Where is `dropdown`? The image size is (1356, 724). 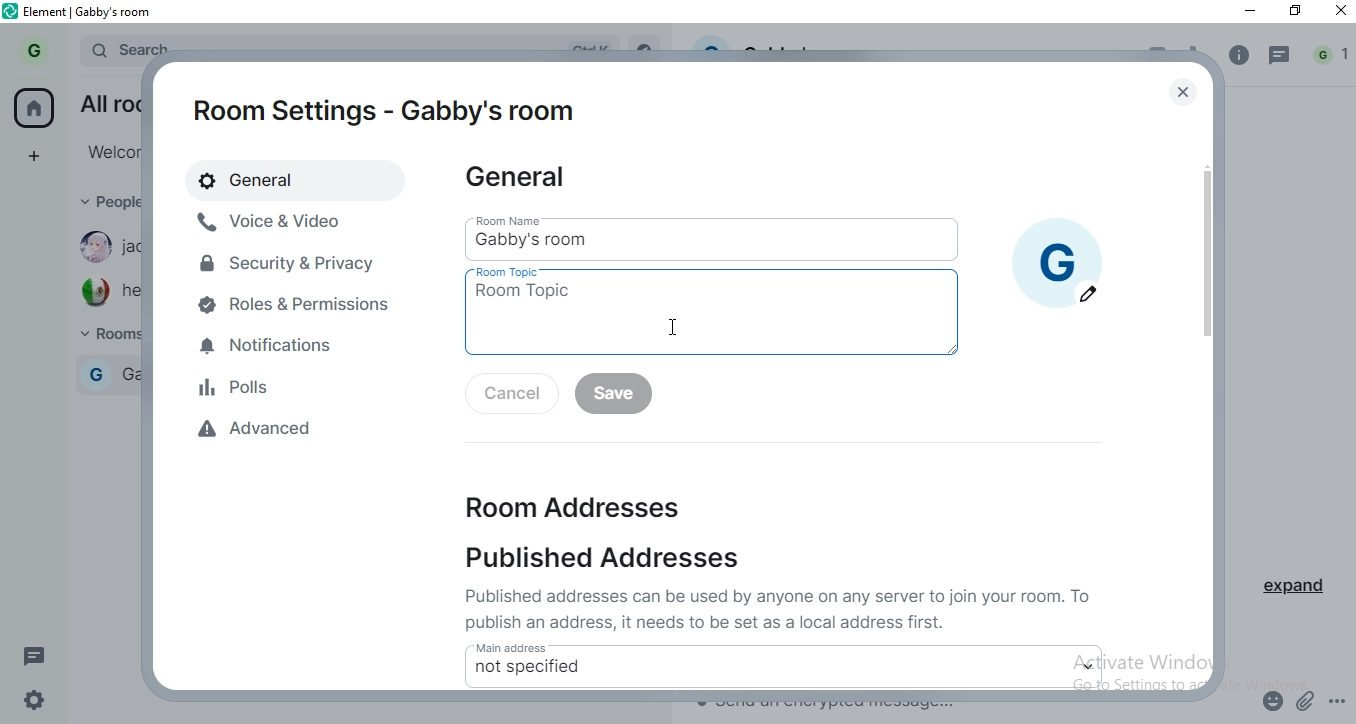
dropdown is located at coordinates (1090, 666).